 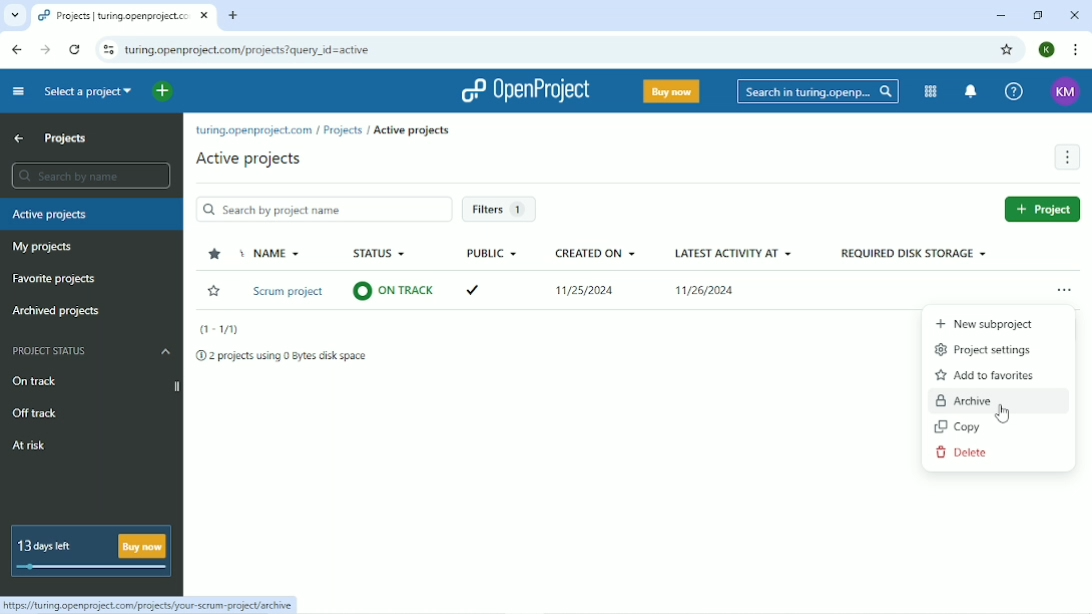 I want to click on Modules, so click(x=931, y=91).